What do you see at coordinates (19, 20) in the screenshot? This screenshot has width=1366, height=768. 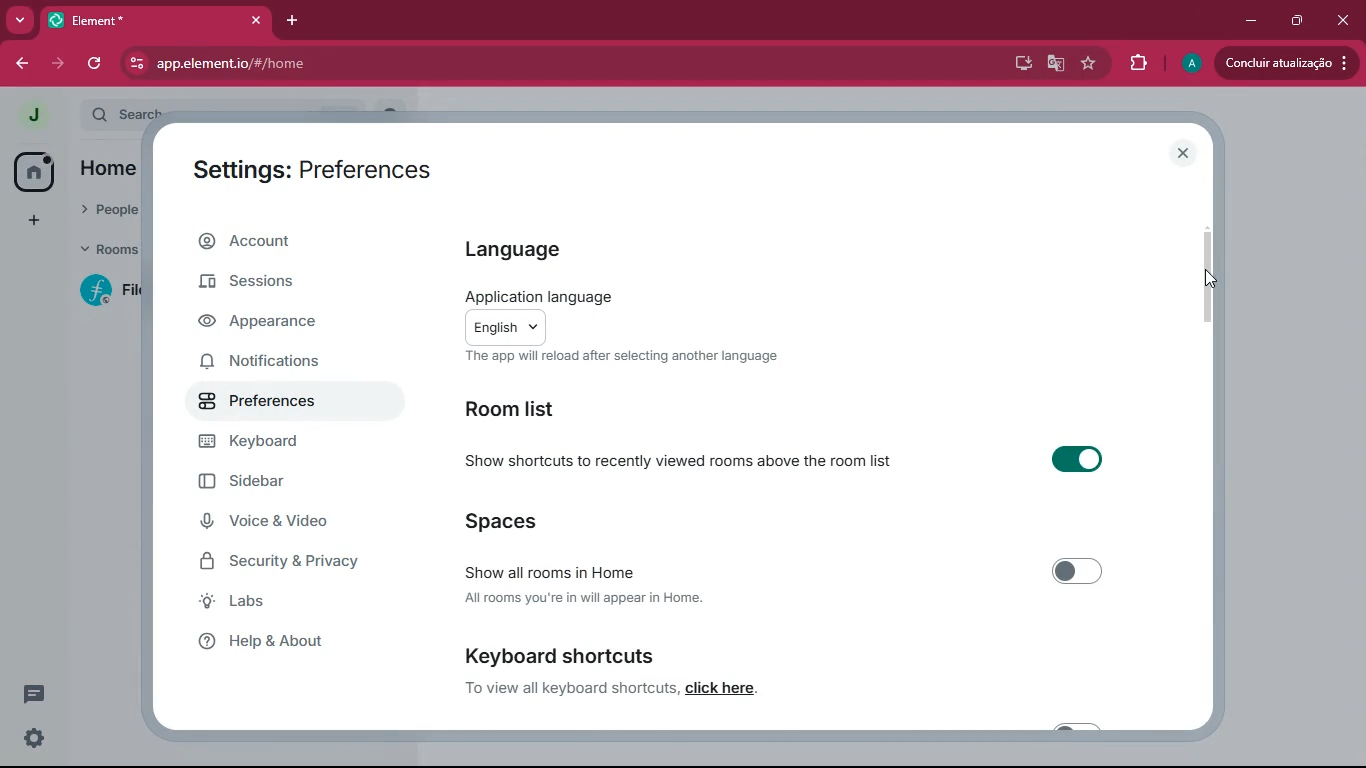 I see `more` at bounding box center [19, 20].